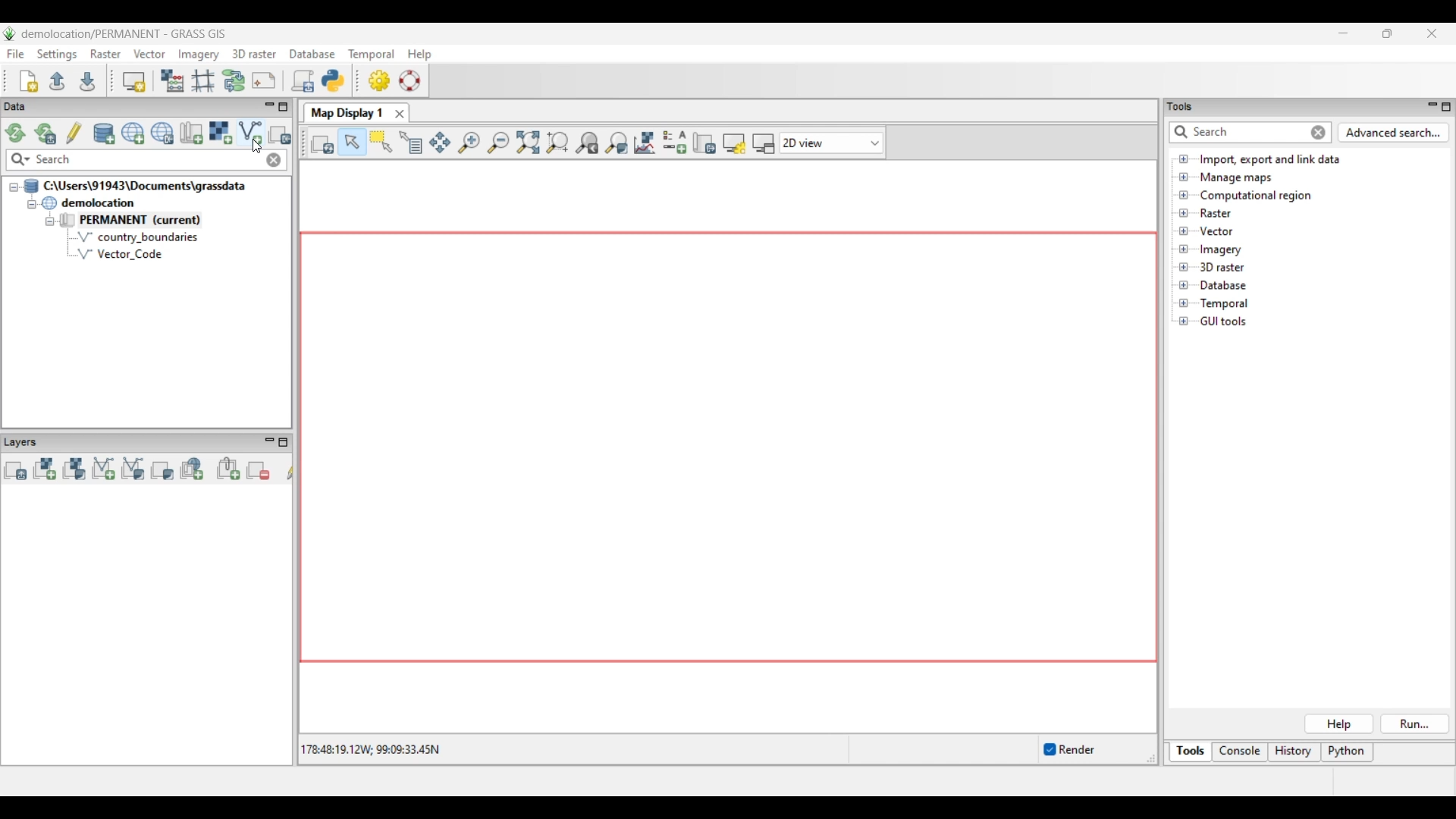 The height and width of the screenshot is (819, 1456). What do you see at coordinates (1184, 177) in the screenshot?
I see `Click to open Manage maps` at bounding box center [1184, 177].